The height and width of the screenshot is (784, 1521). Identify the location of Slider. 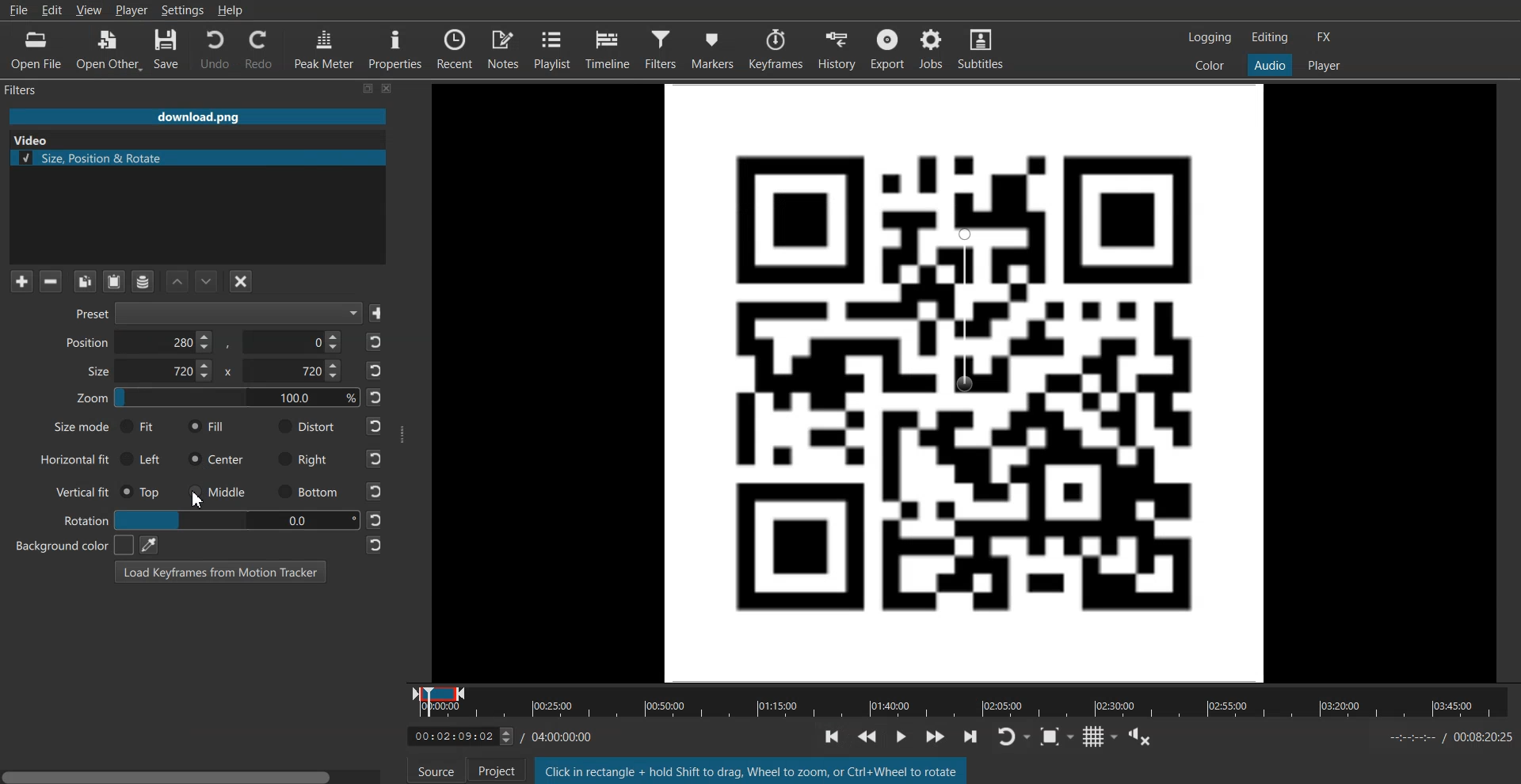
(963, 712).